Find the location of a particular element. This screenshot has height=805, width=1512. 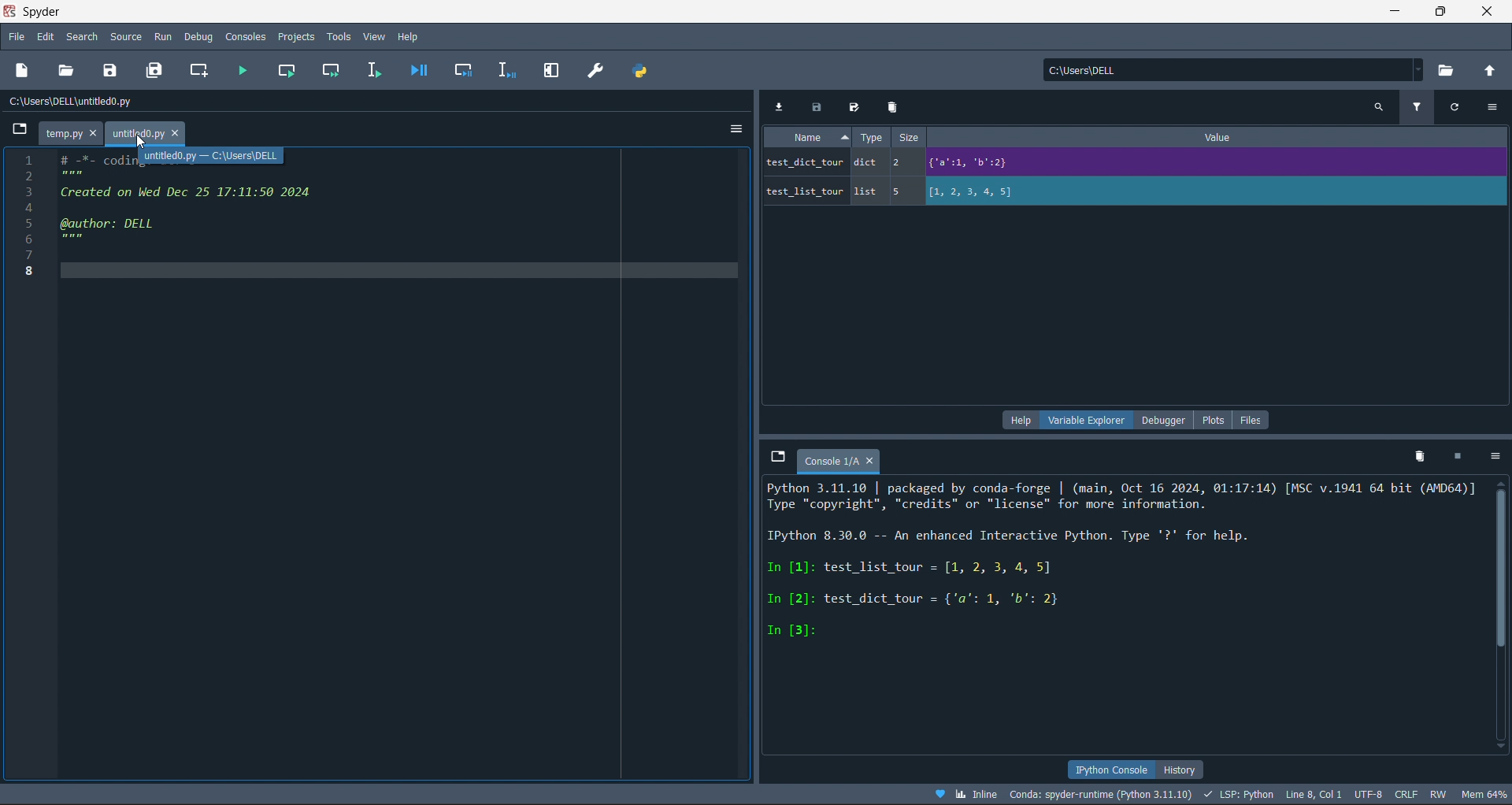

Spyder is located at coordinates (49, 12).